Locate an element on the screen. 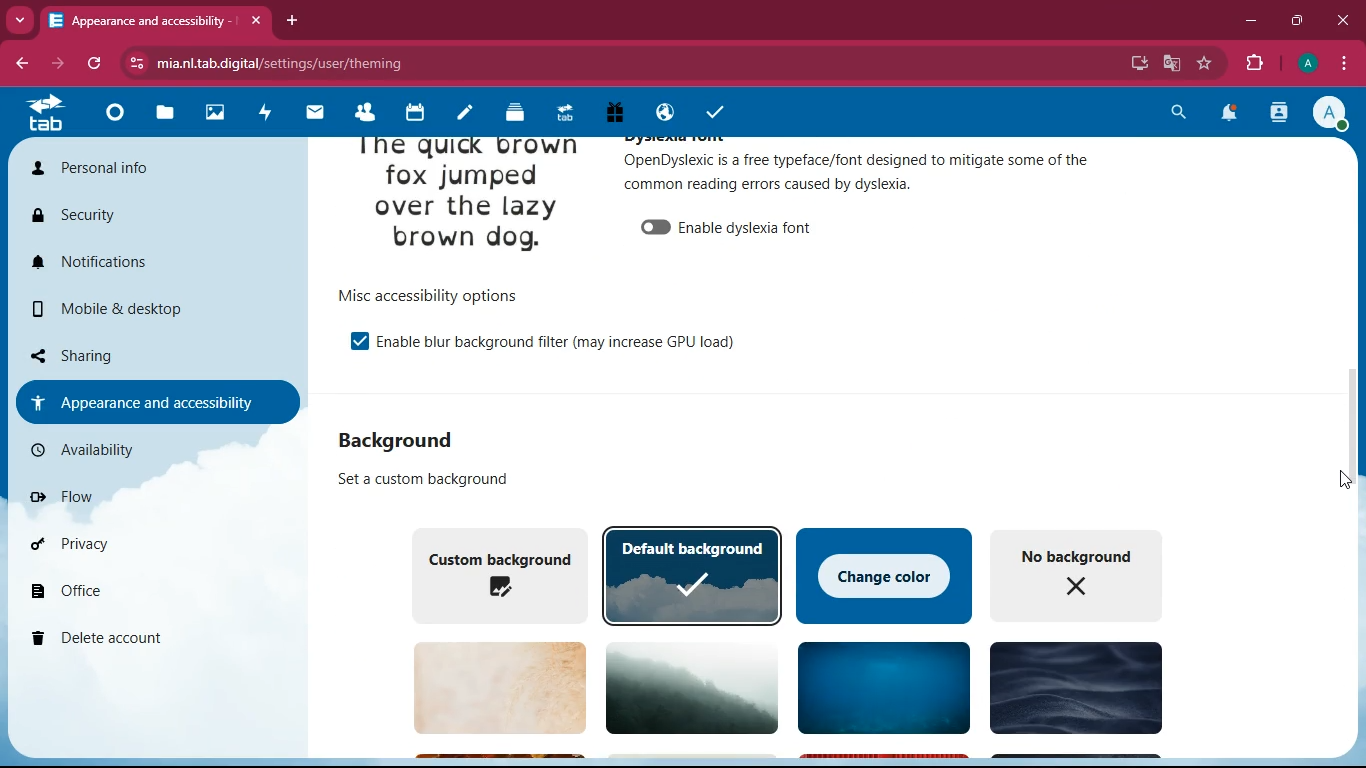  custom background is located at coordinates (493, 573).